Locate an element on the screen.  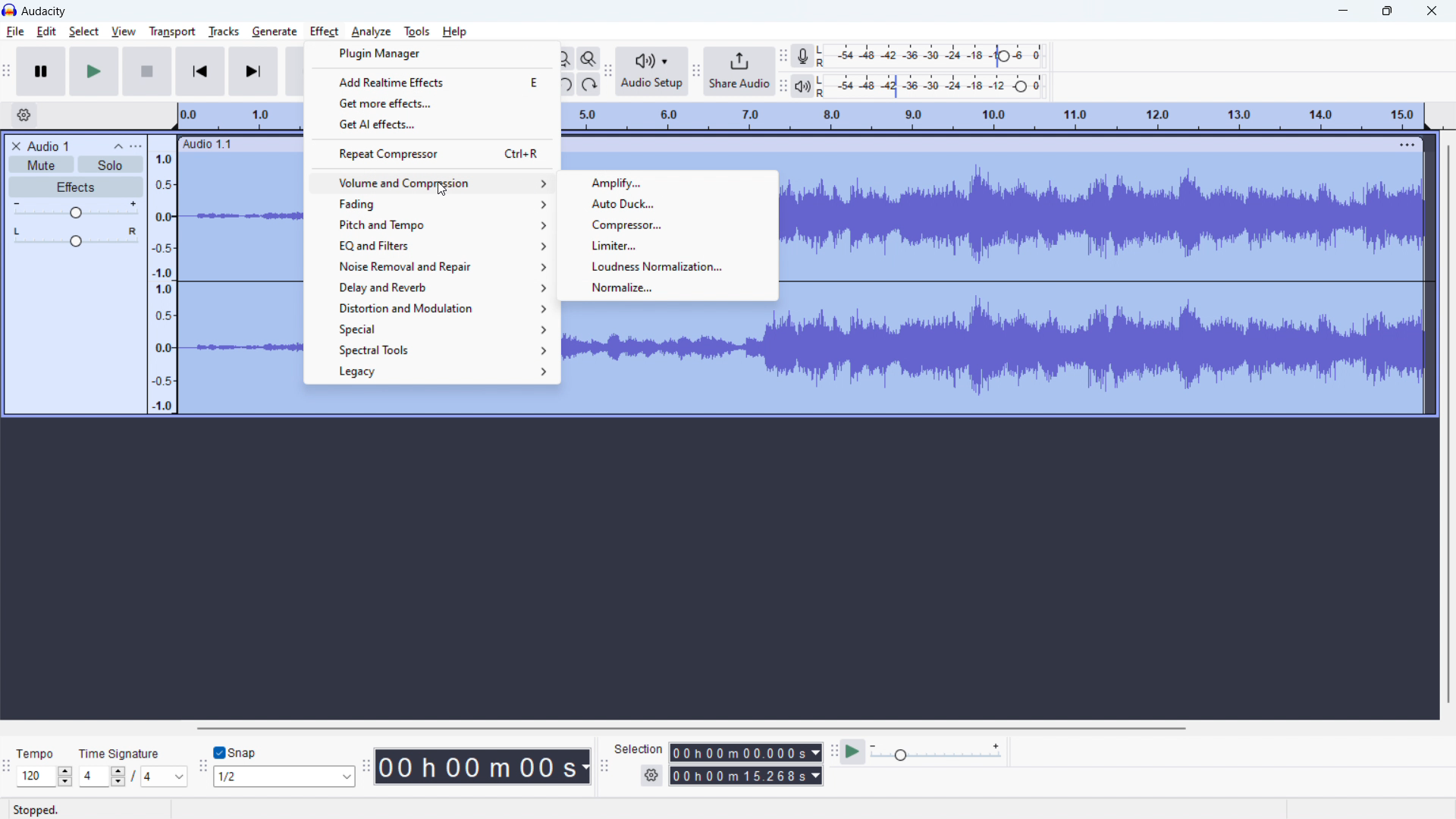
minimize is located at coordinates (1342, 11).